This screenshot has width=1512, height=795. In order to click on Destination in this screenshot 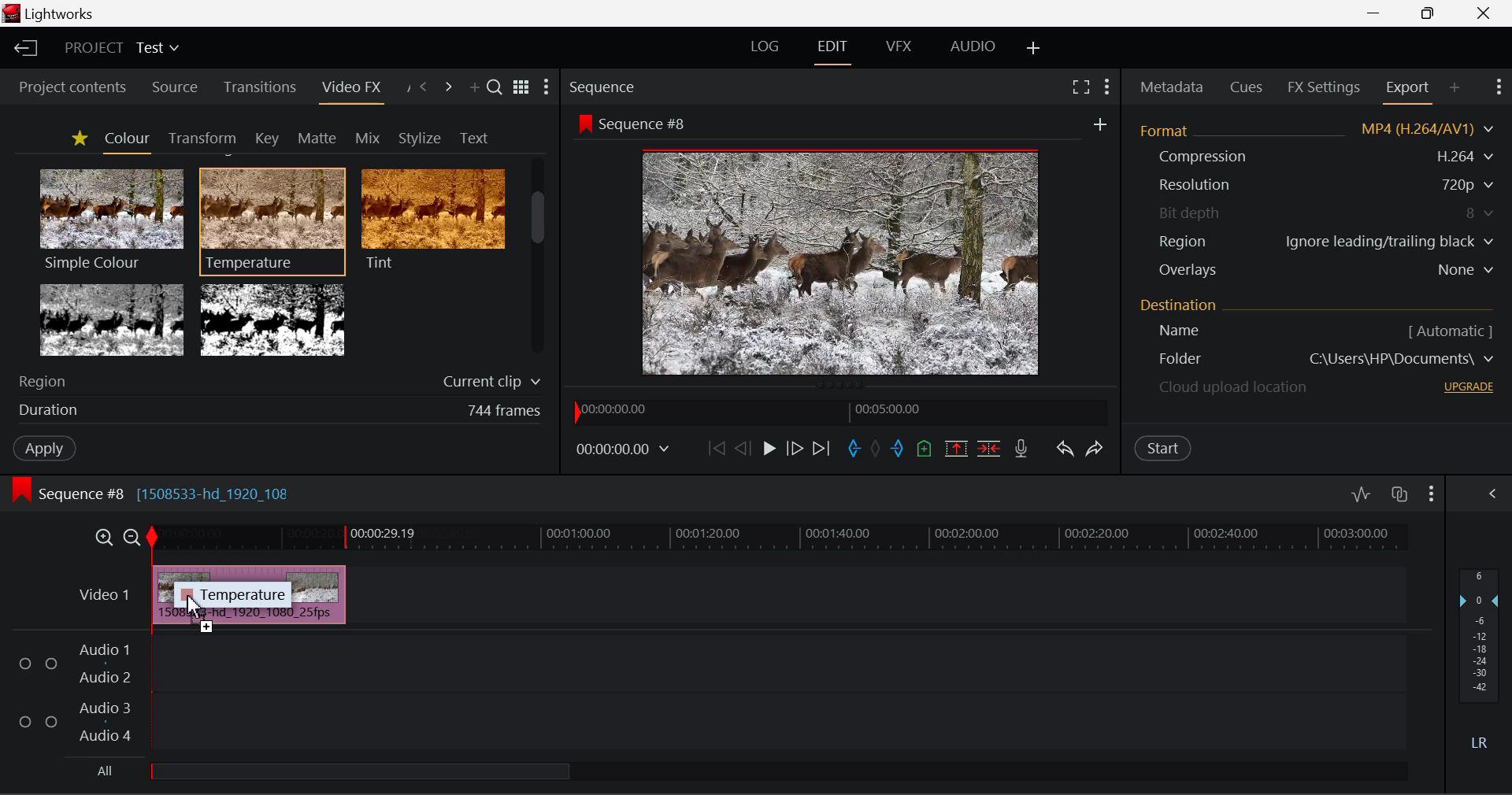, I will do `click(1180, 304)`.